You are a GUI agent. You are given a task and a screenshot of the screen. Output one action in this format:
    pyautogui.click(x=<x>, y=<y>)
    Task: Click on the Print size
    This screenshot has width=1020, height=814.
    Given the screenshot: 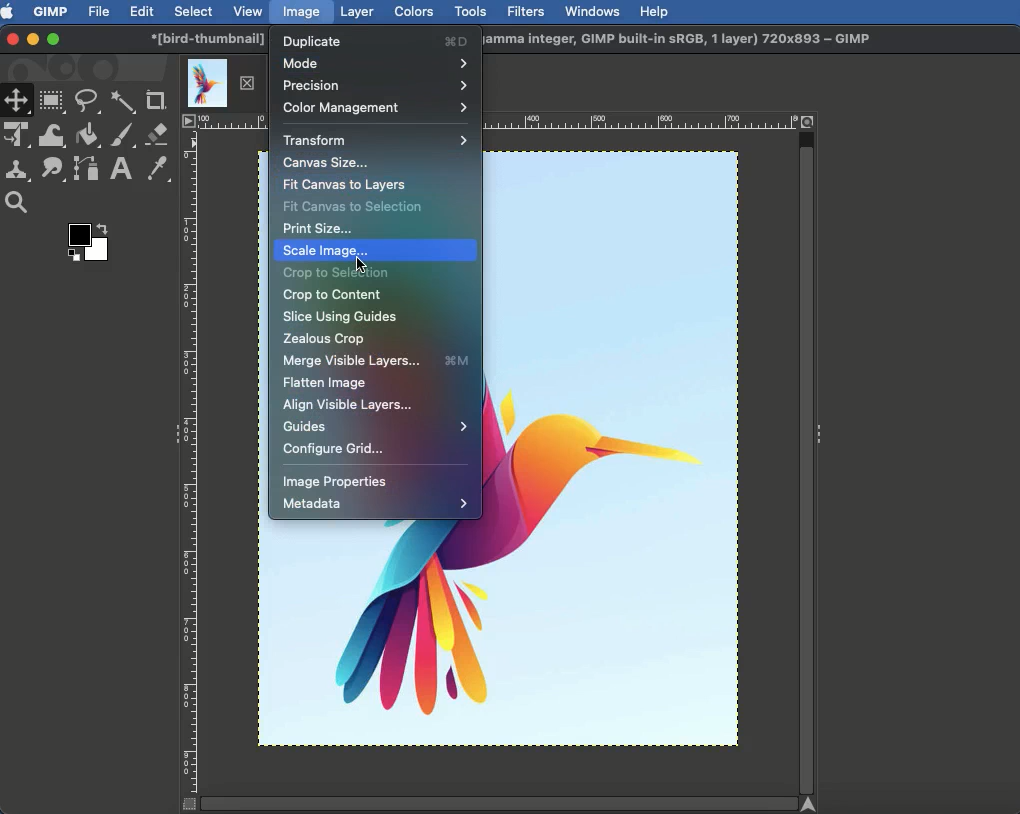 What is the action you would take?
    pyautogui.click(x=316, y=226)
    